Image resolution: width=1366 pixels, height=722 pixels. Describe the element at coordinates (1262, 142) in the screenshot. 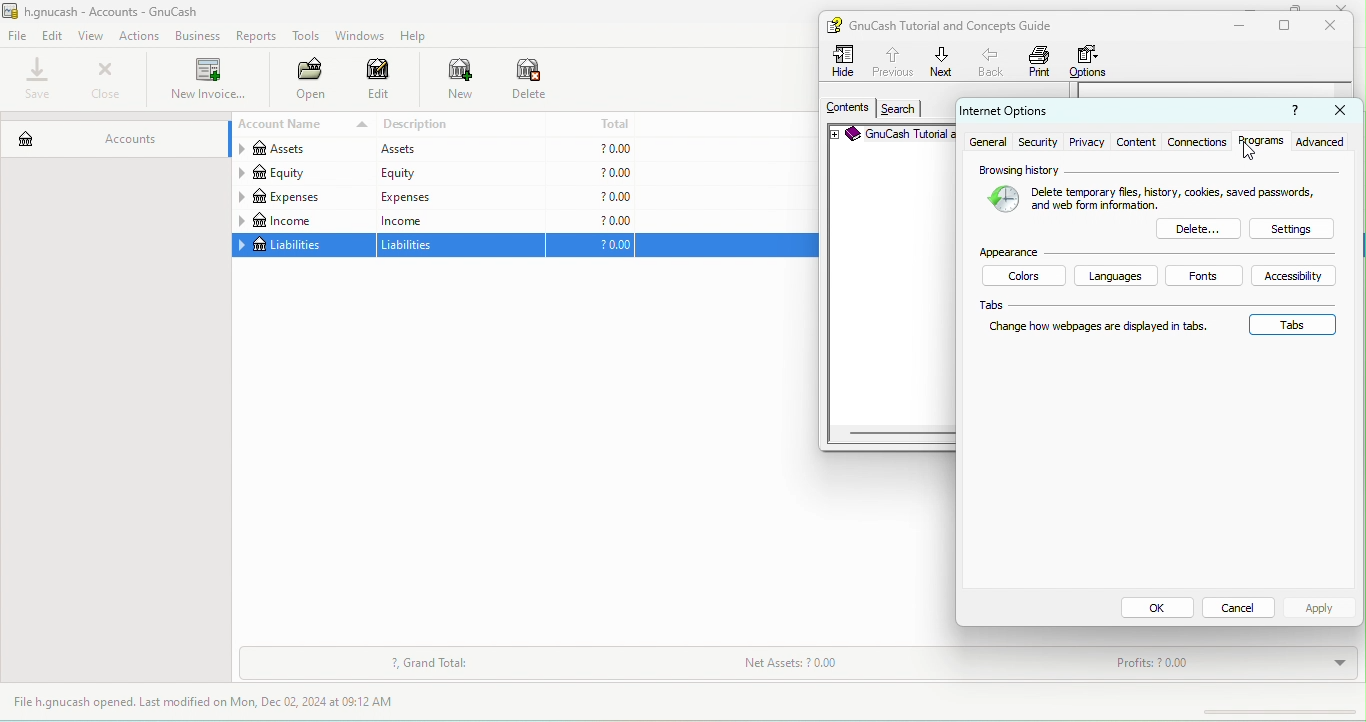

I see `programs` at that location.